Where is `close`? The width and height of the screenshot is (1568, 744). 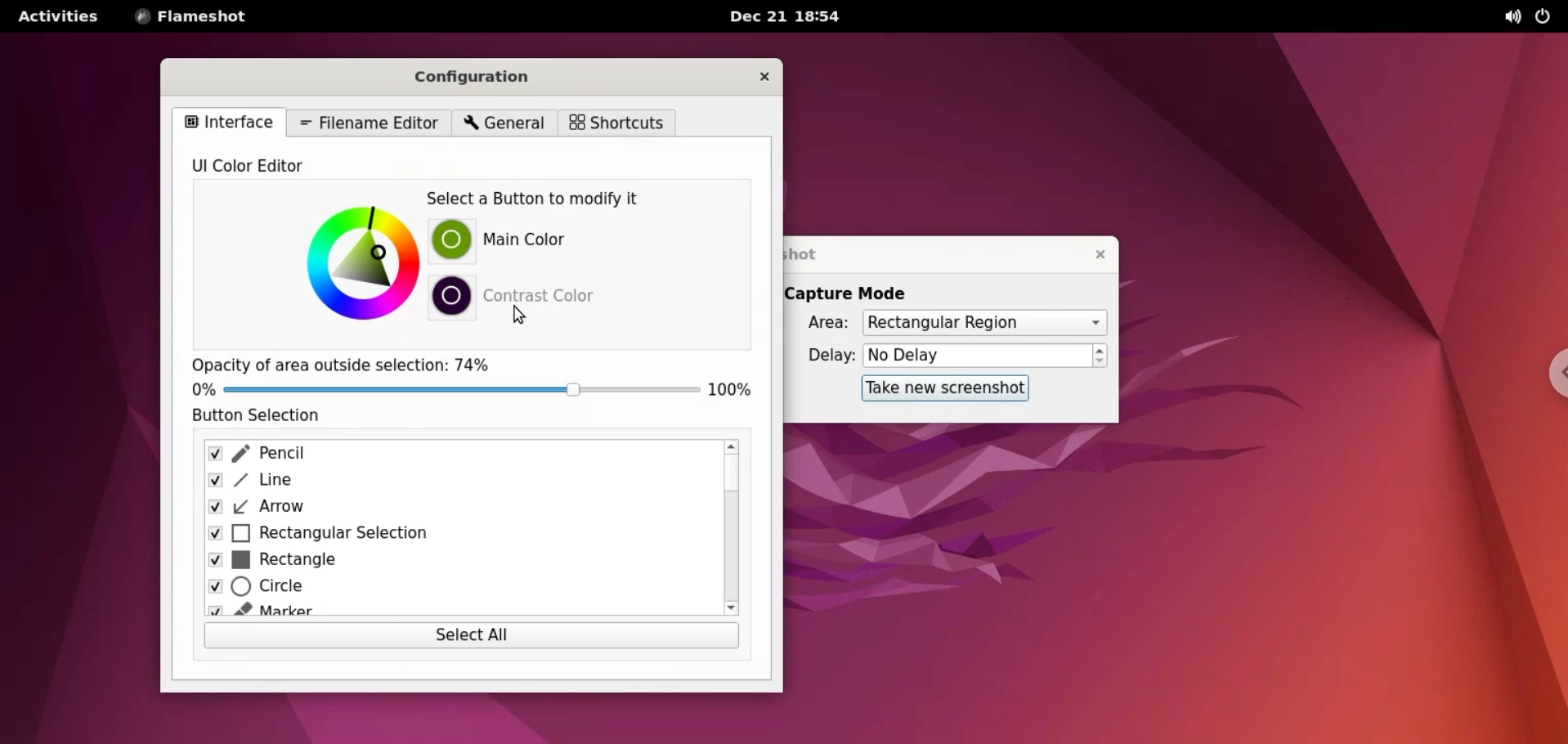 close is located at coordinates (765, 76).